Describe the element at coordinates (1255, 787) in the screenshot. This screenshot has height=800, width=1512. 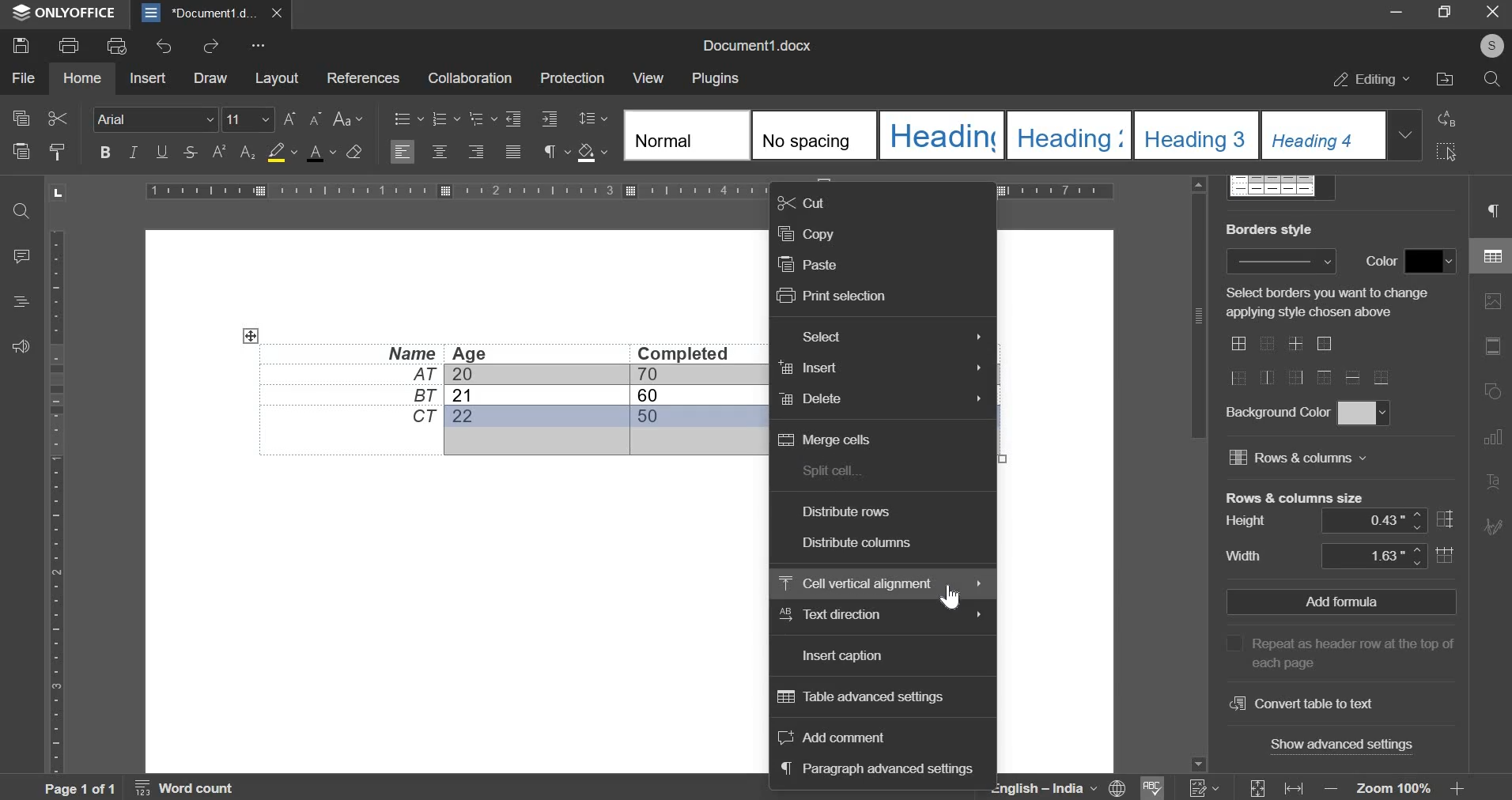
I see `fit to page` at that location.